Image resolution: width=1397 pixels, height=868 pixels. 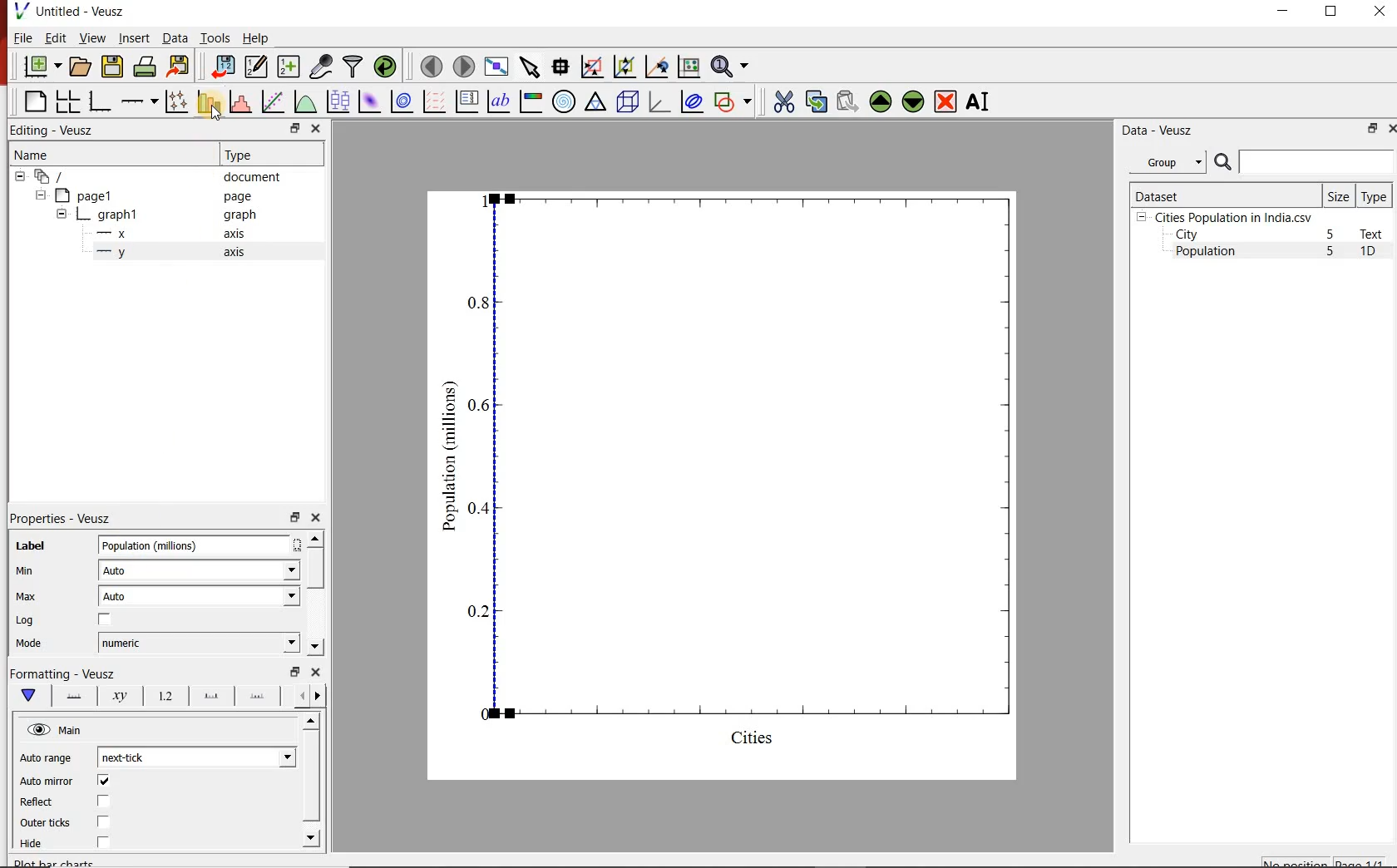 What do you see at coordinates (947, 101) in the screenshot?
I see `remove the selected widgets` at bounding box center [947, 101].